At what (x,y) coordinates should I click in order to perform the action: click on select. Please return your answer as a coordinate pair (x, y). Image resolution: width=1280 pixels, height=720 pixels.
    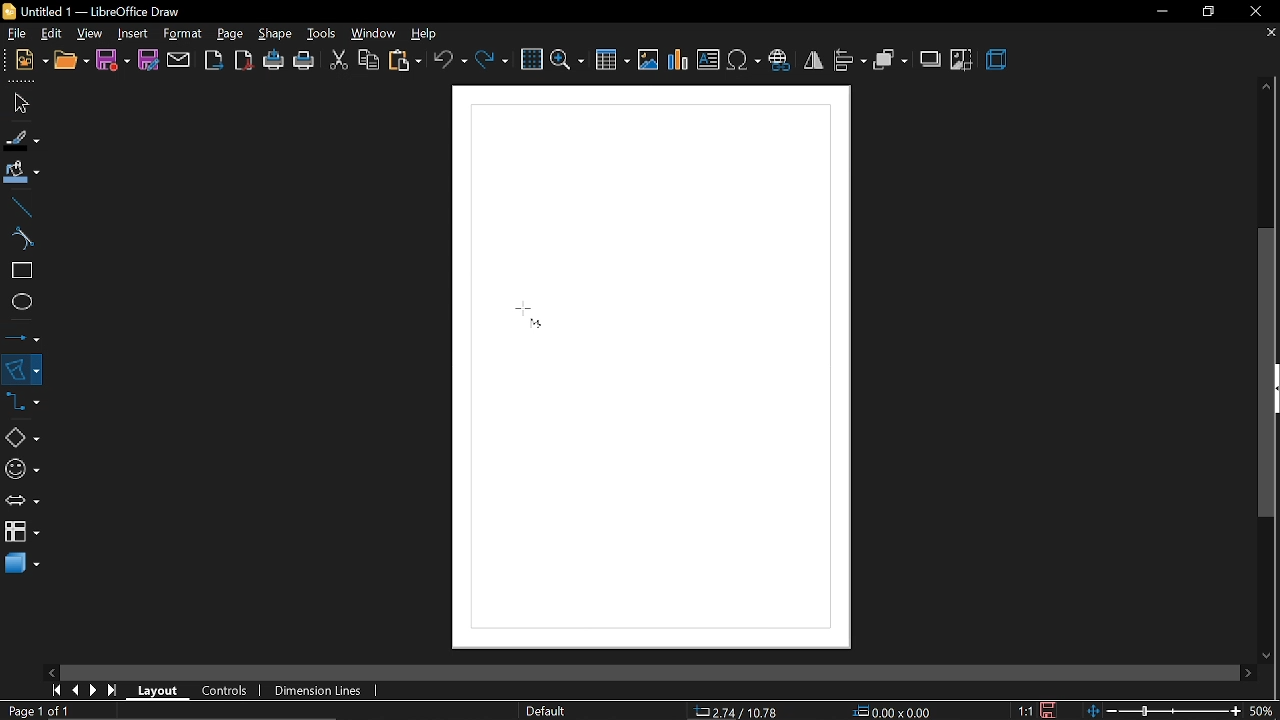
    Looking at the image, I should click on (18, 103).